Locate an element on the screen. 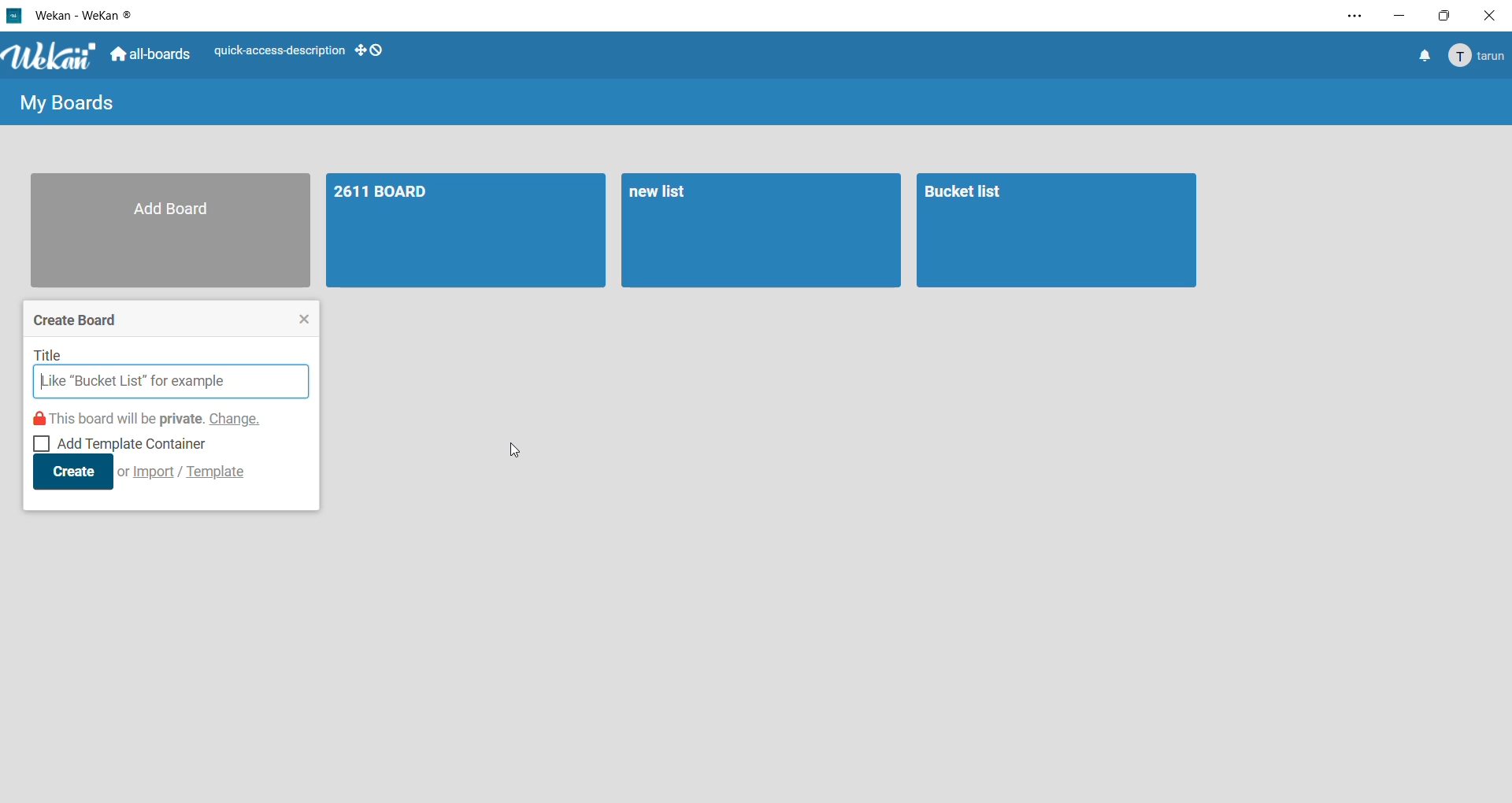 The height and width of the screenshot is (803, 1512). create board is located at coordinates (81, 322).